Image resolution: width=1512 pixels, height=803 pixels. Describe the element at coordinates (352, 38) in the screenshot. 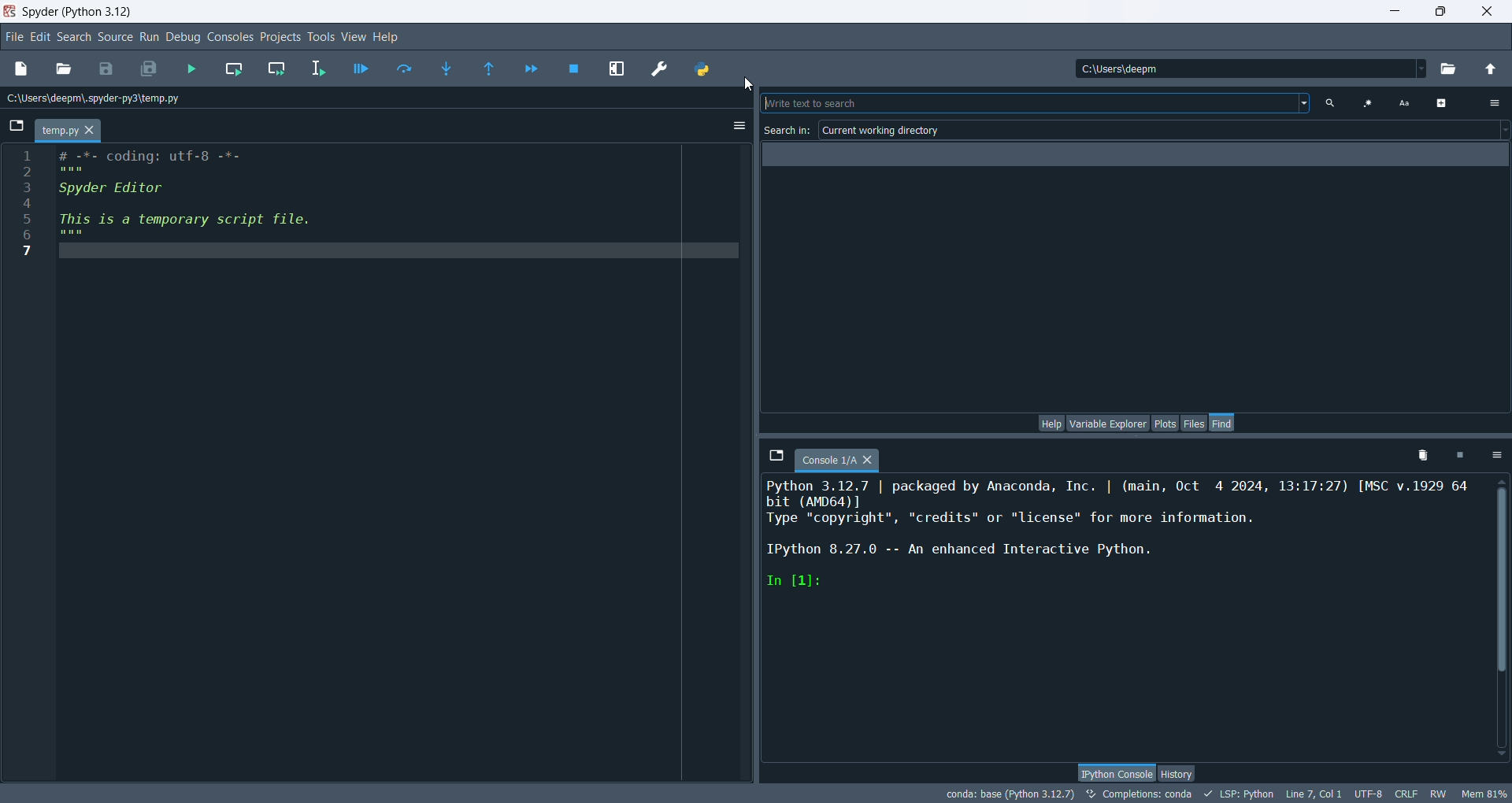

I see `view` at that location.